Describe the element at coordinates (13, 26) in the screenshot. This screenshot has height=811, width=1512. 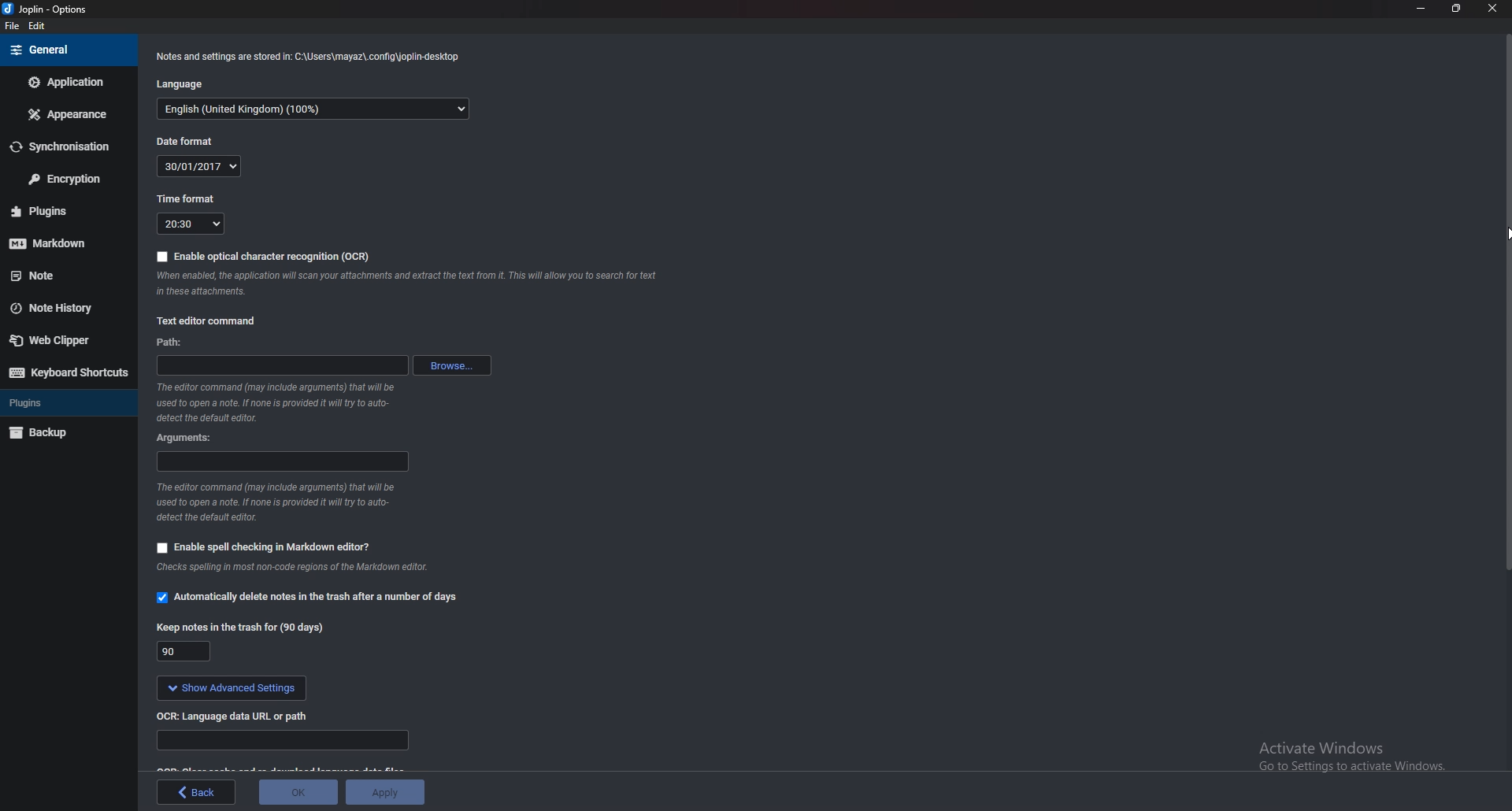
I see `File` at that location.